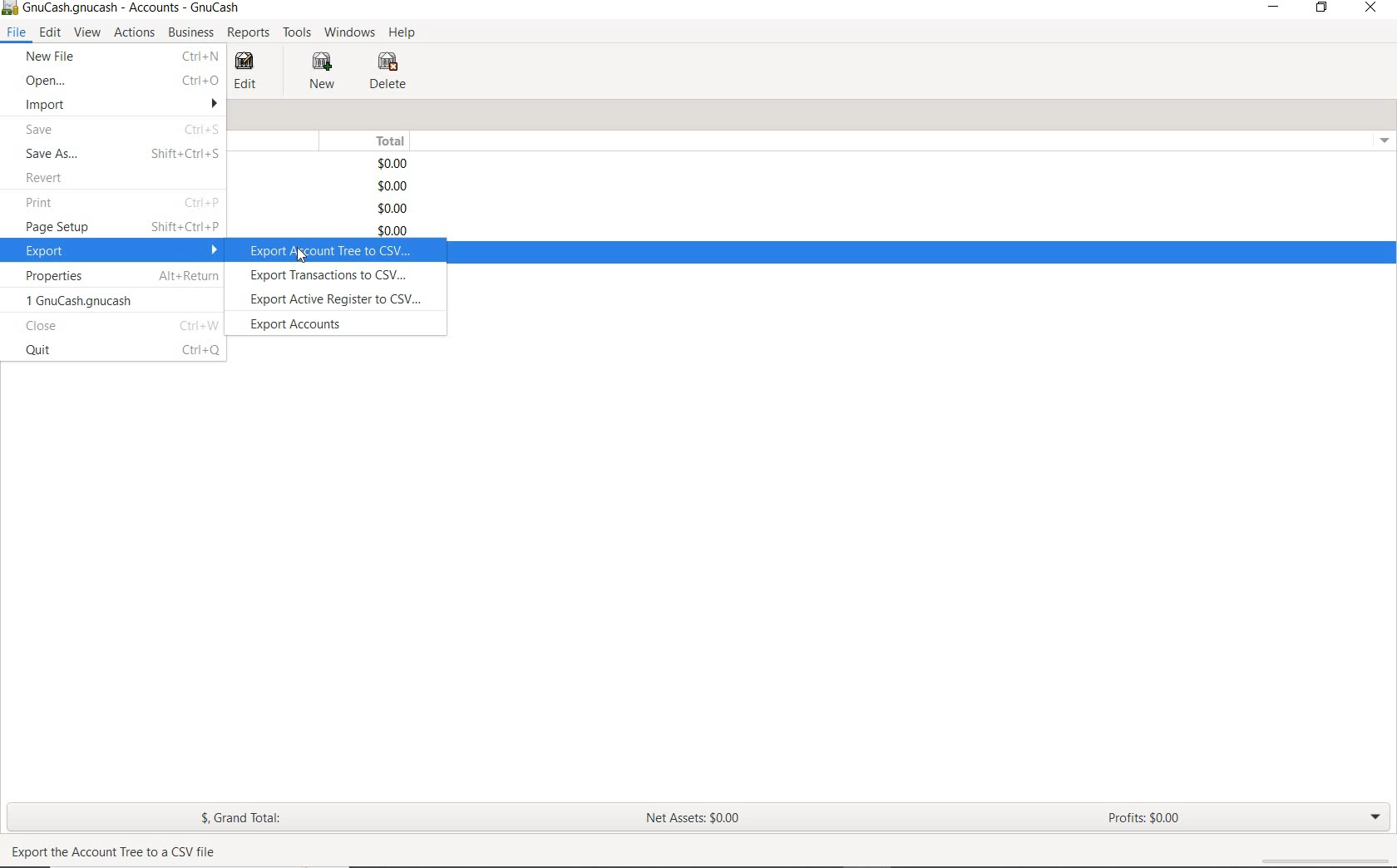  Describe the element at coordinates (392, 230) in the screenshot. I see `$0.00` at that location.